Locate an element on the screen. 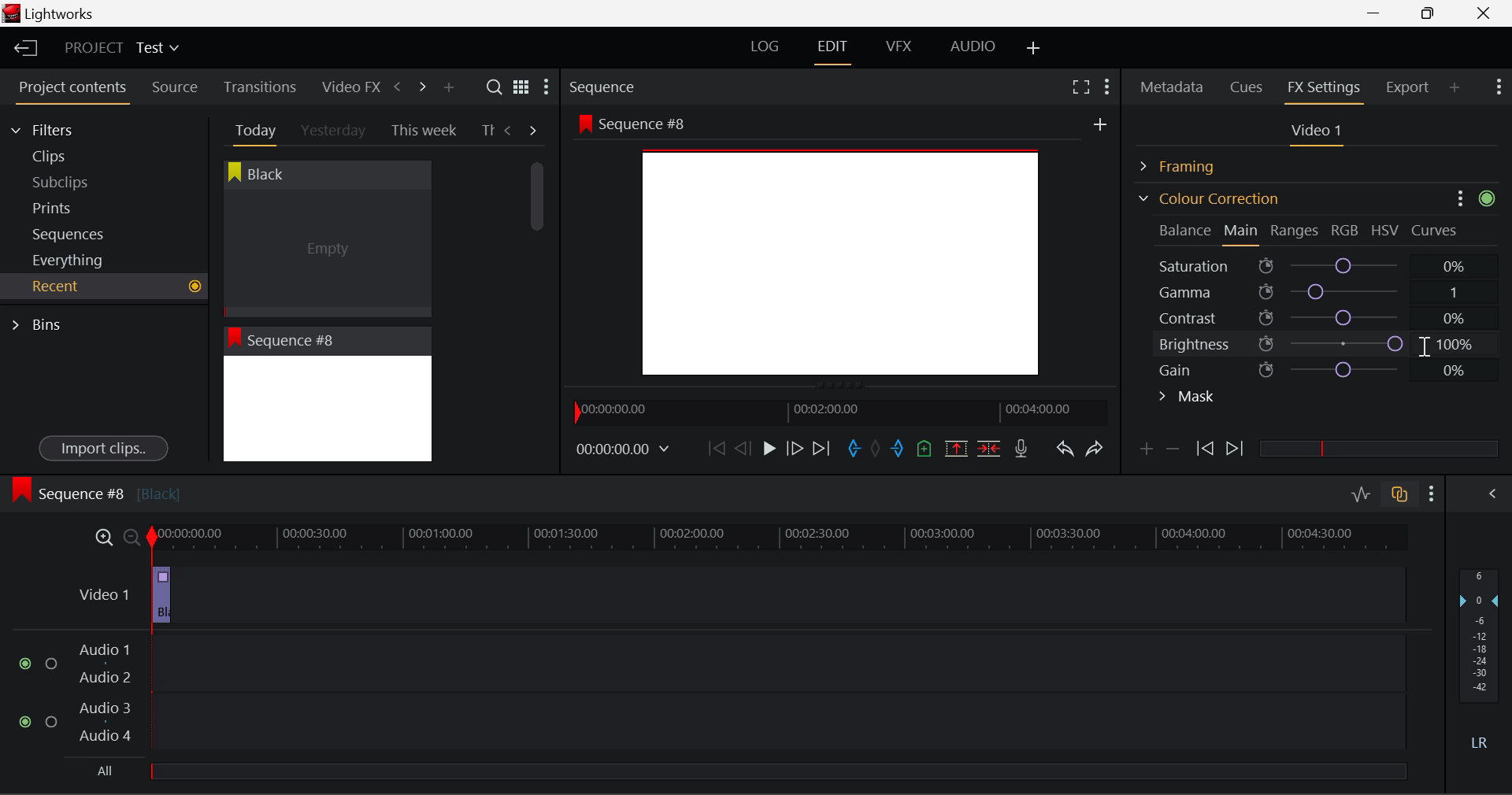 The image size is (1512, 795). To Start is located at coordinates (715, 448).